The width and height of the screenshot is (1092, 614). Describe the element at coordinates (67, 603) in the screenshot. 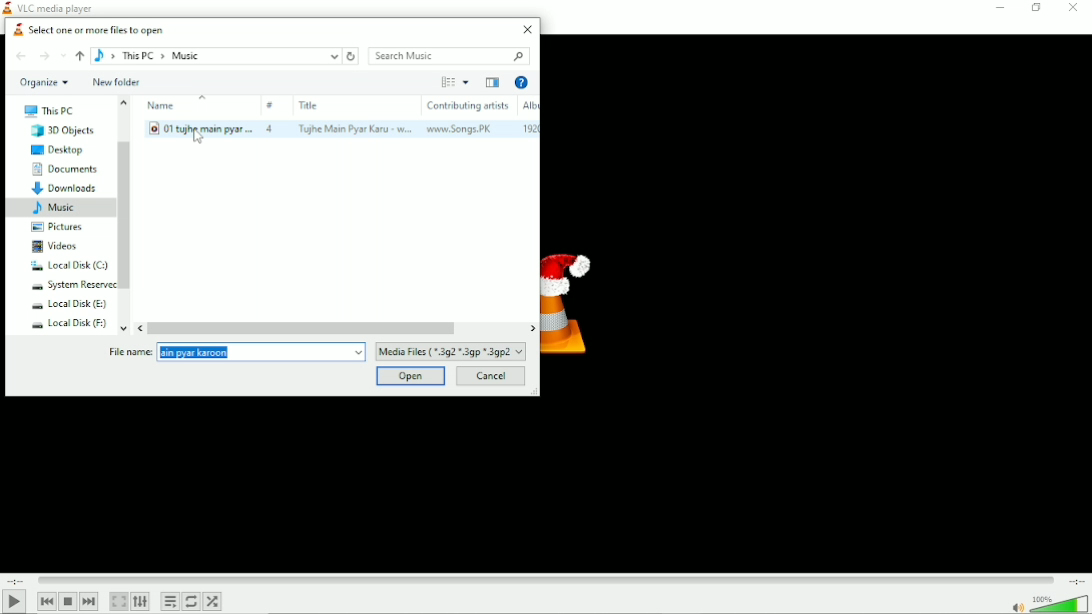

I see `Stop playback` at that location.